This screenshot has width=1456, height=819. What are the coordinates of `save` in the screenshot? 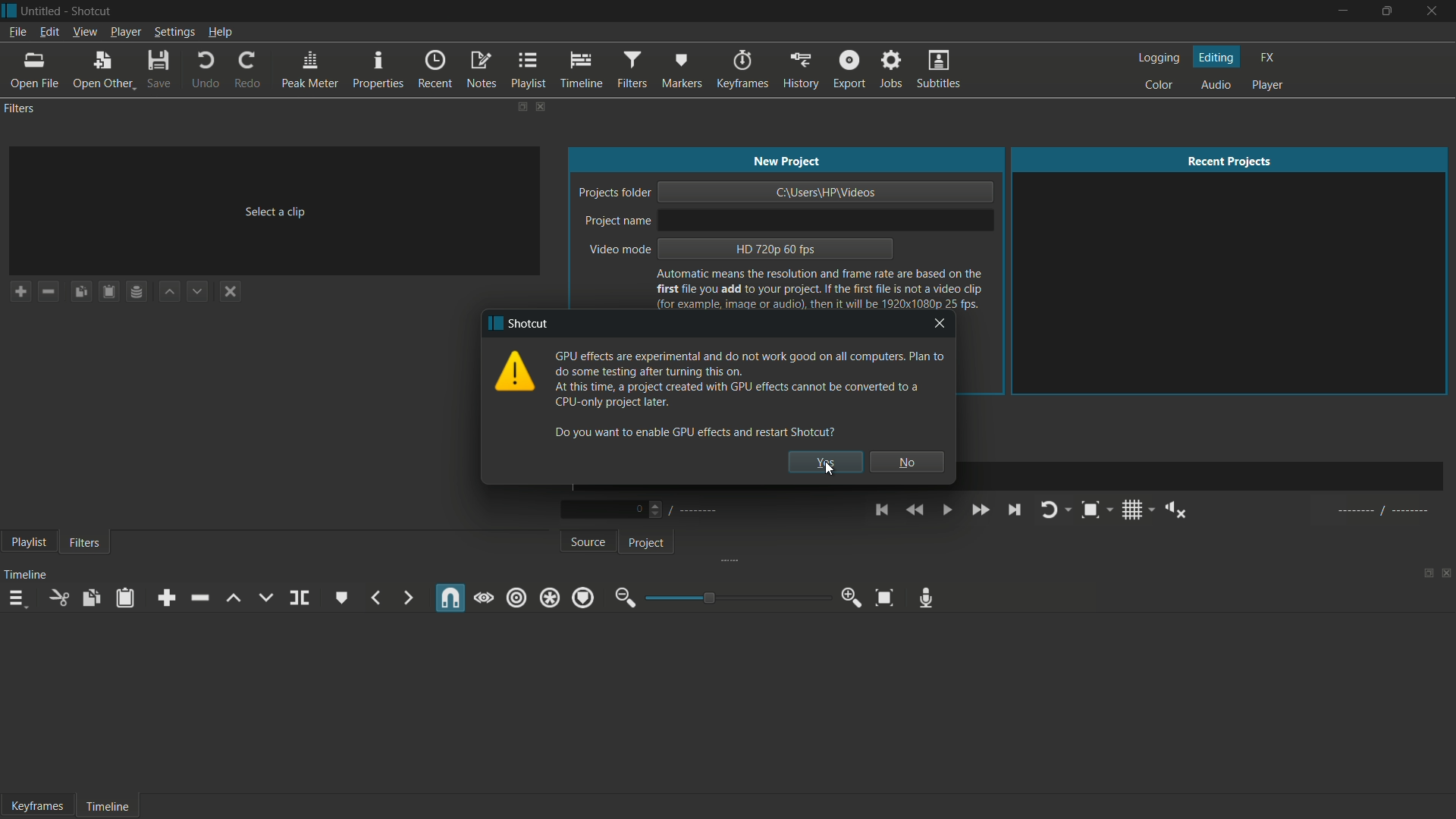 It's located at (164, 71).